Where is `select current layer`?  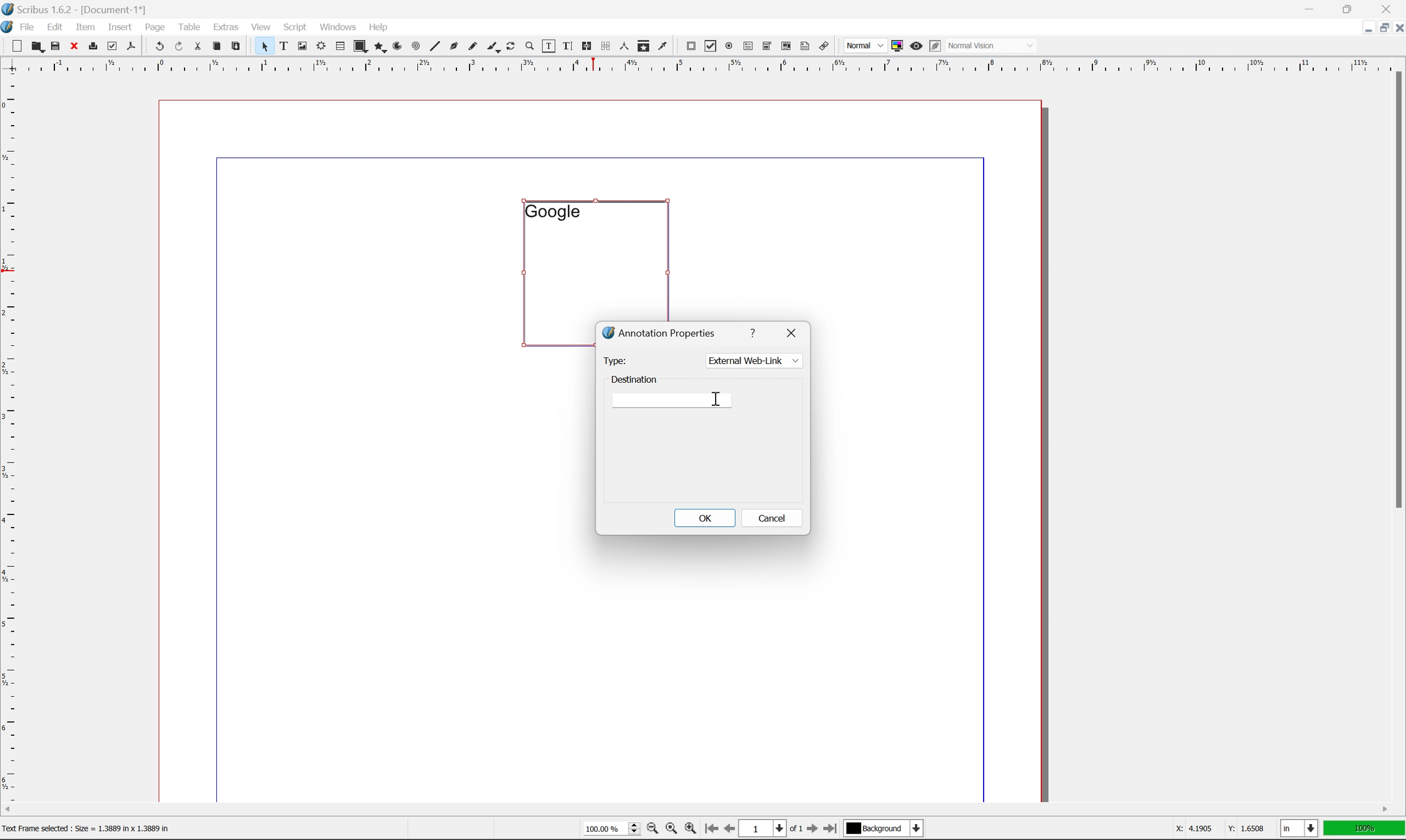
select current layer is located at coordinates (882, 829).